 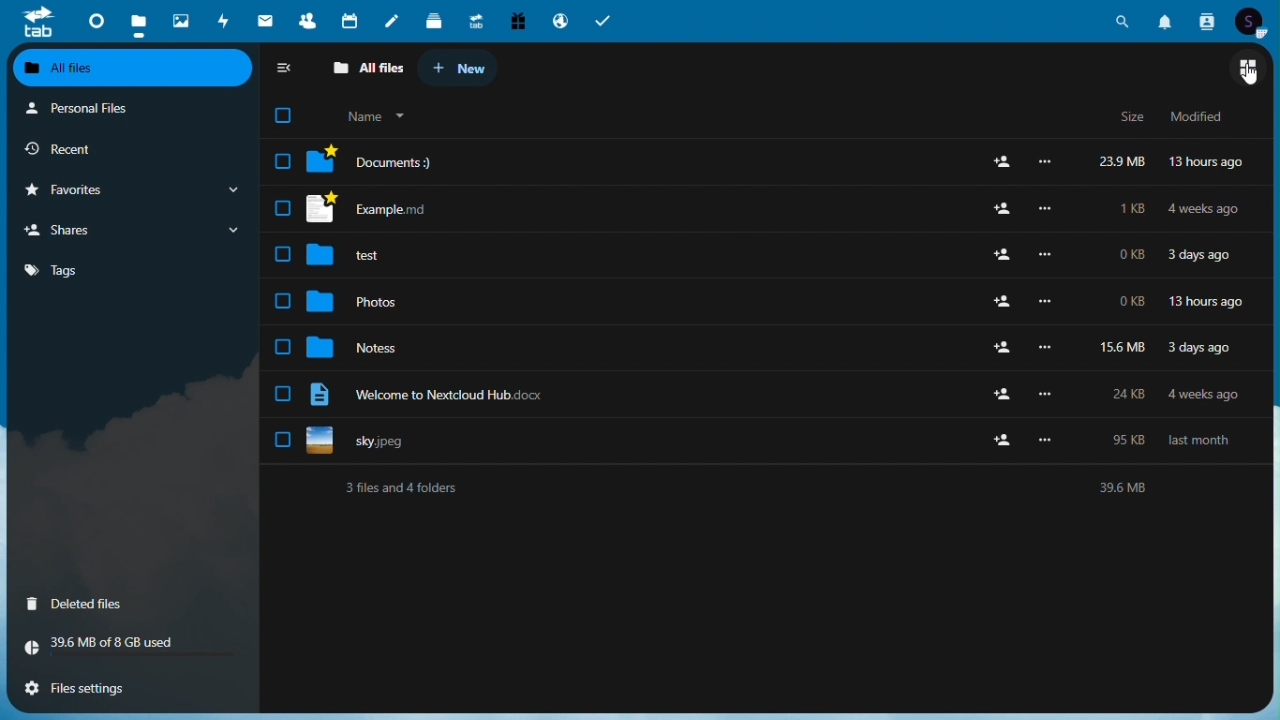 I want to click on add user, so click(x=1000, y=441).